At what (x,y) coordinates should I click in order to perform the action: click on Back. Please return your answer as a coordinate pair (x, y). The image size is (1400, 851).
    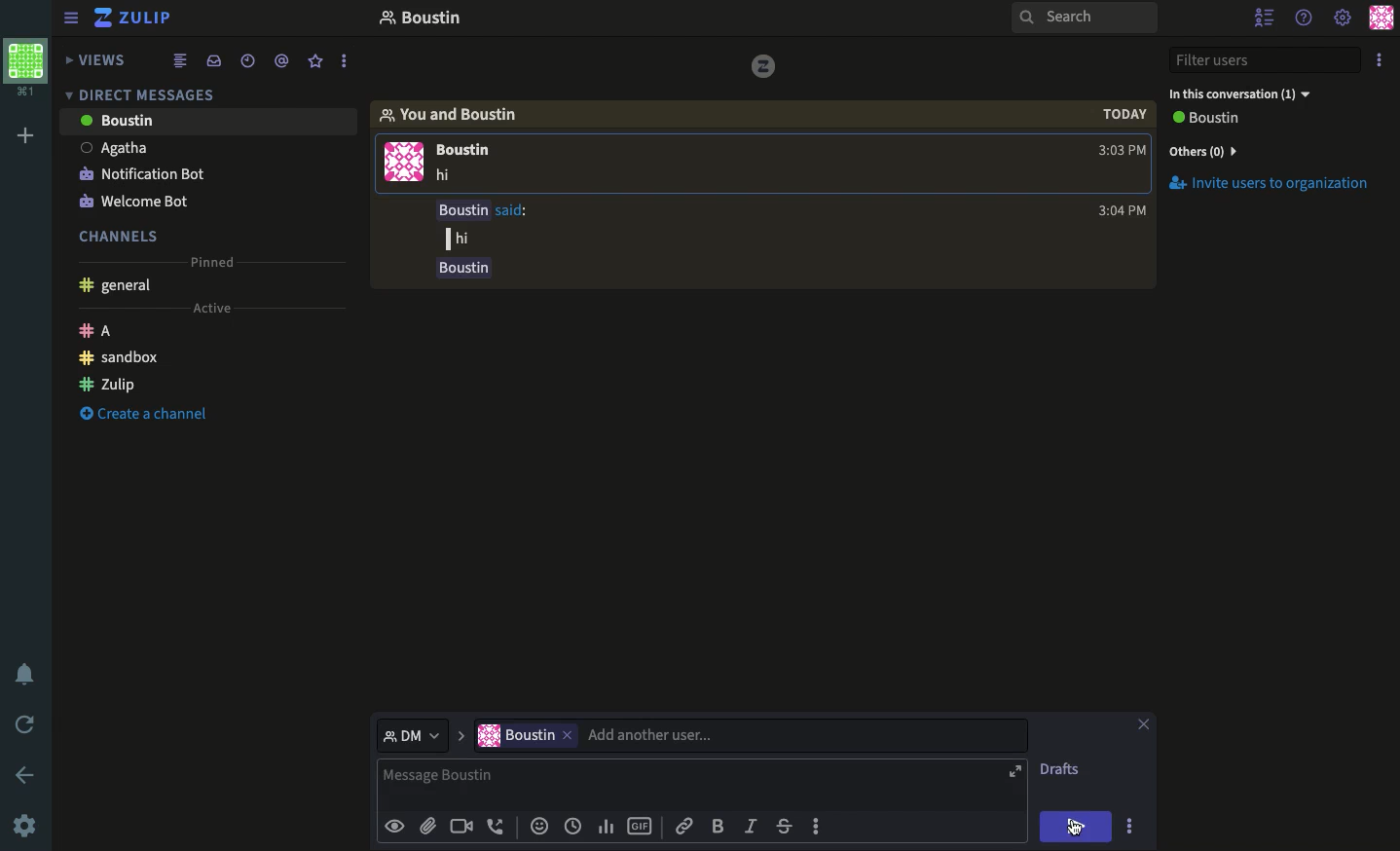
    Looking at the image, I should click on (26, 773).